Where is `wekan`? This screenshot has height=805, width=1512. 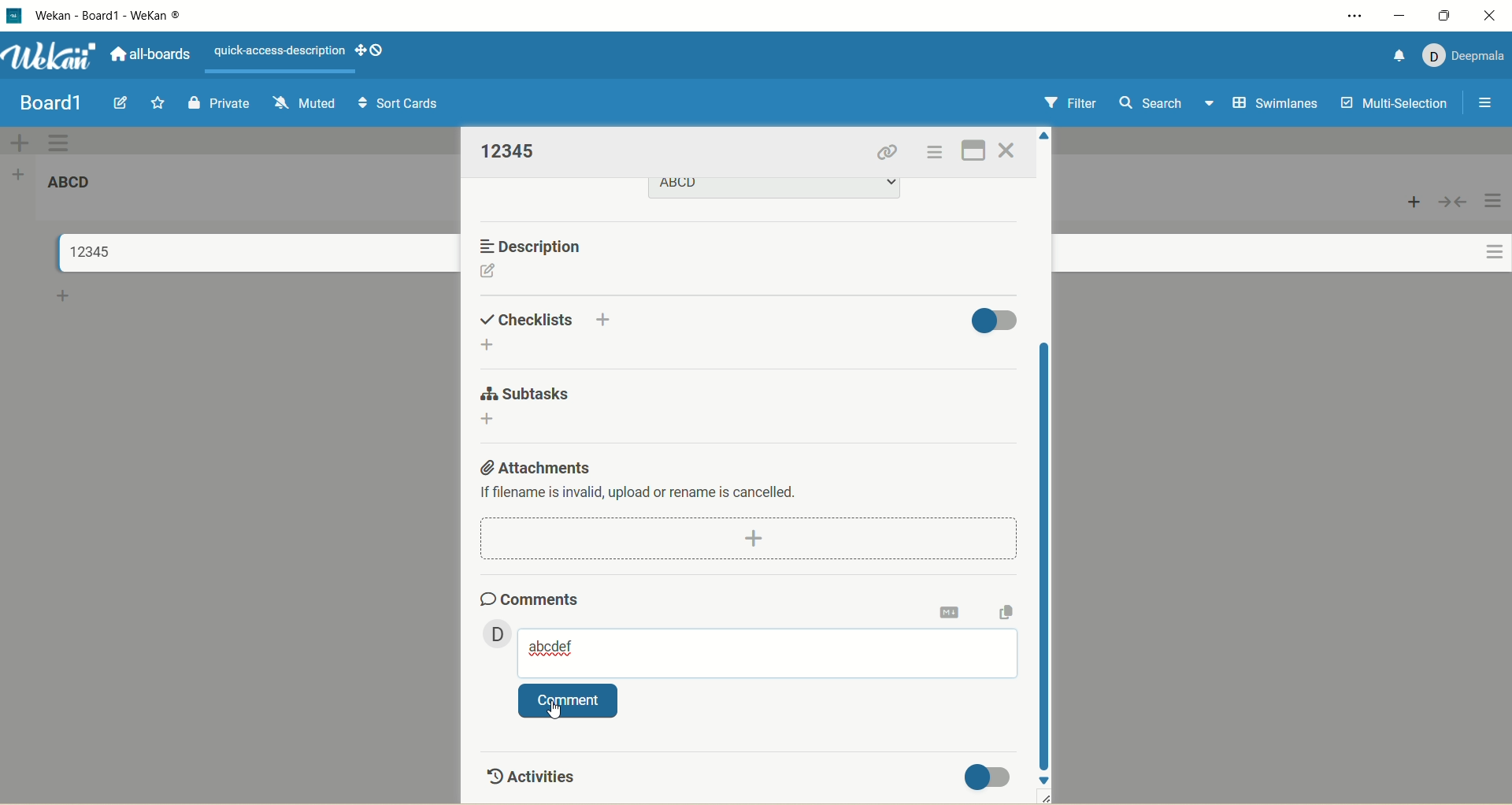 wekan is located at coordinates (51, 58).